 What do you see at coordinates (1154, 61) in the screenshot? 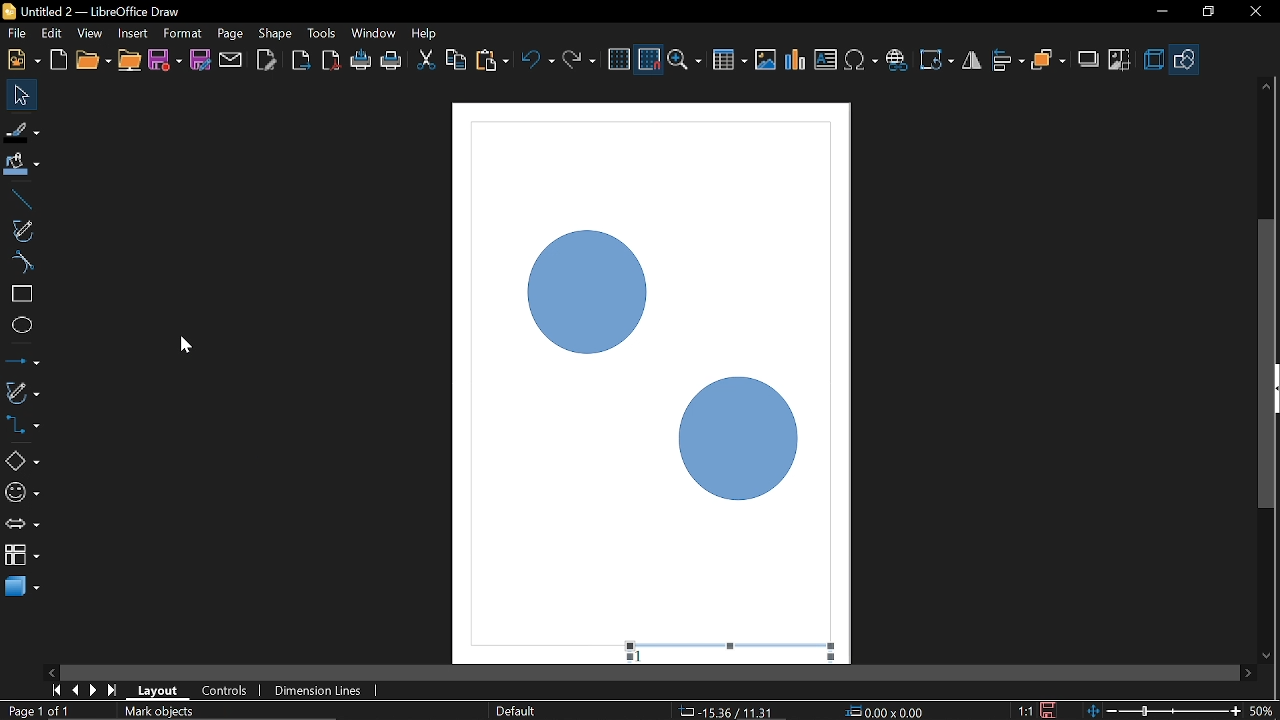
I see `3D` at bounding box center [1154, 61].